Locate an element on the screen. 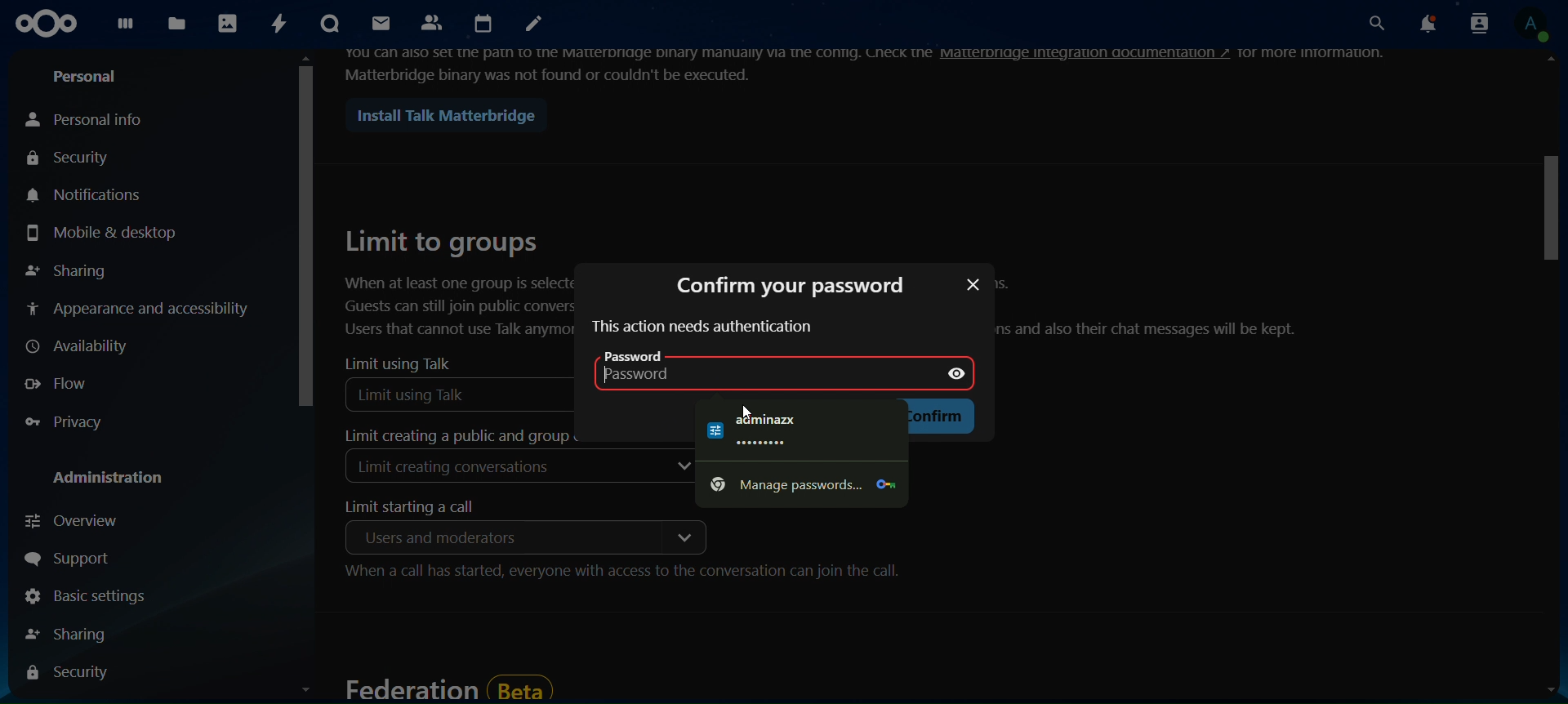  availability is located at coordinates (79, 347).